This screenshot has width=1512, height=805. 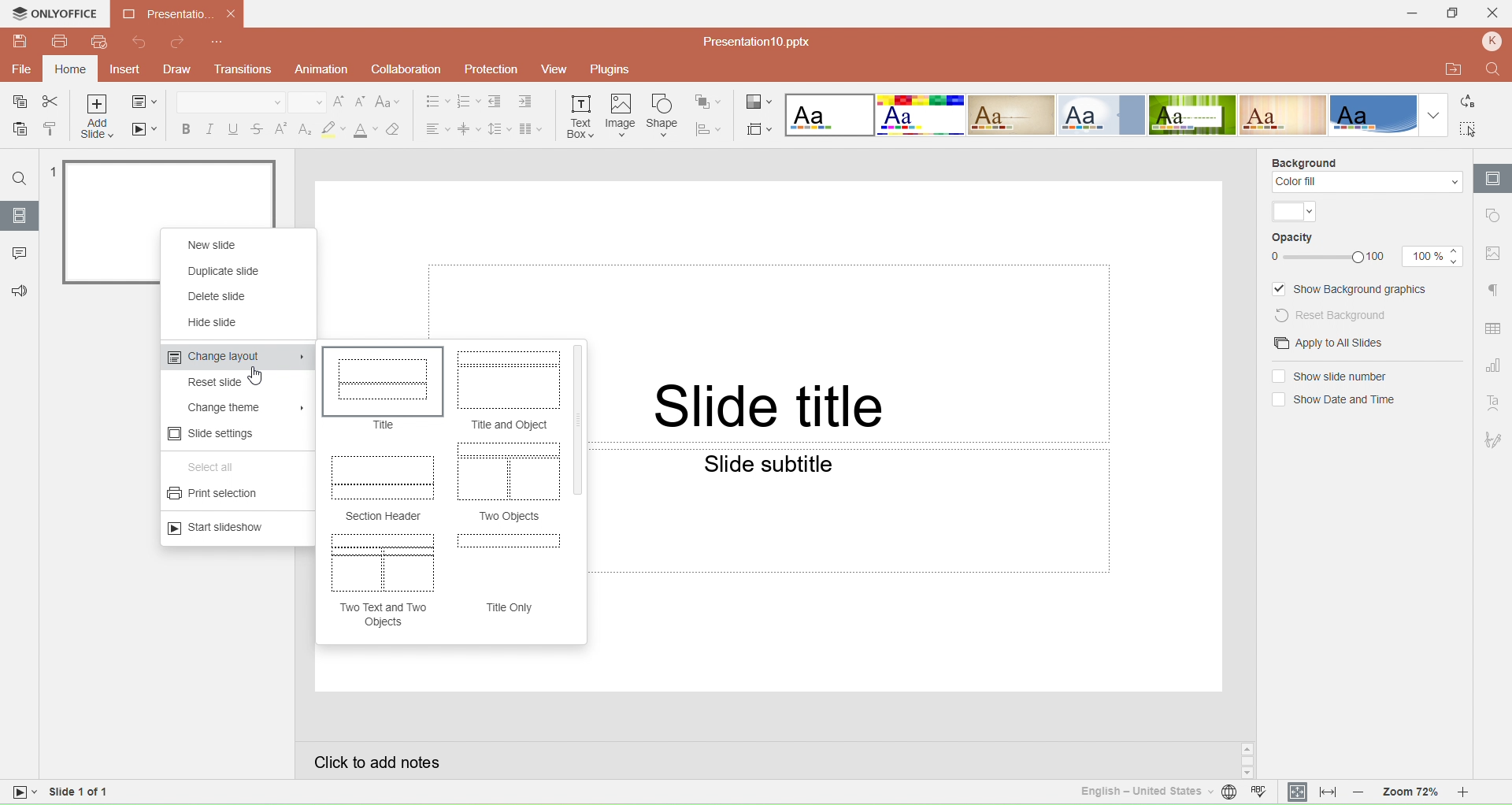 What do you see at coordinates (1262, 793) in the screenshot?
I see `Spell check` at bounding box center [1262, 793].